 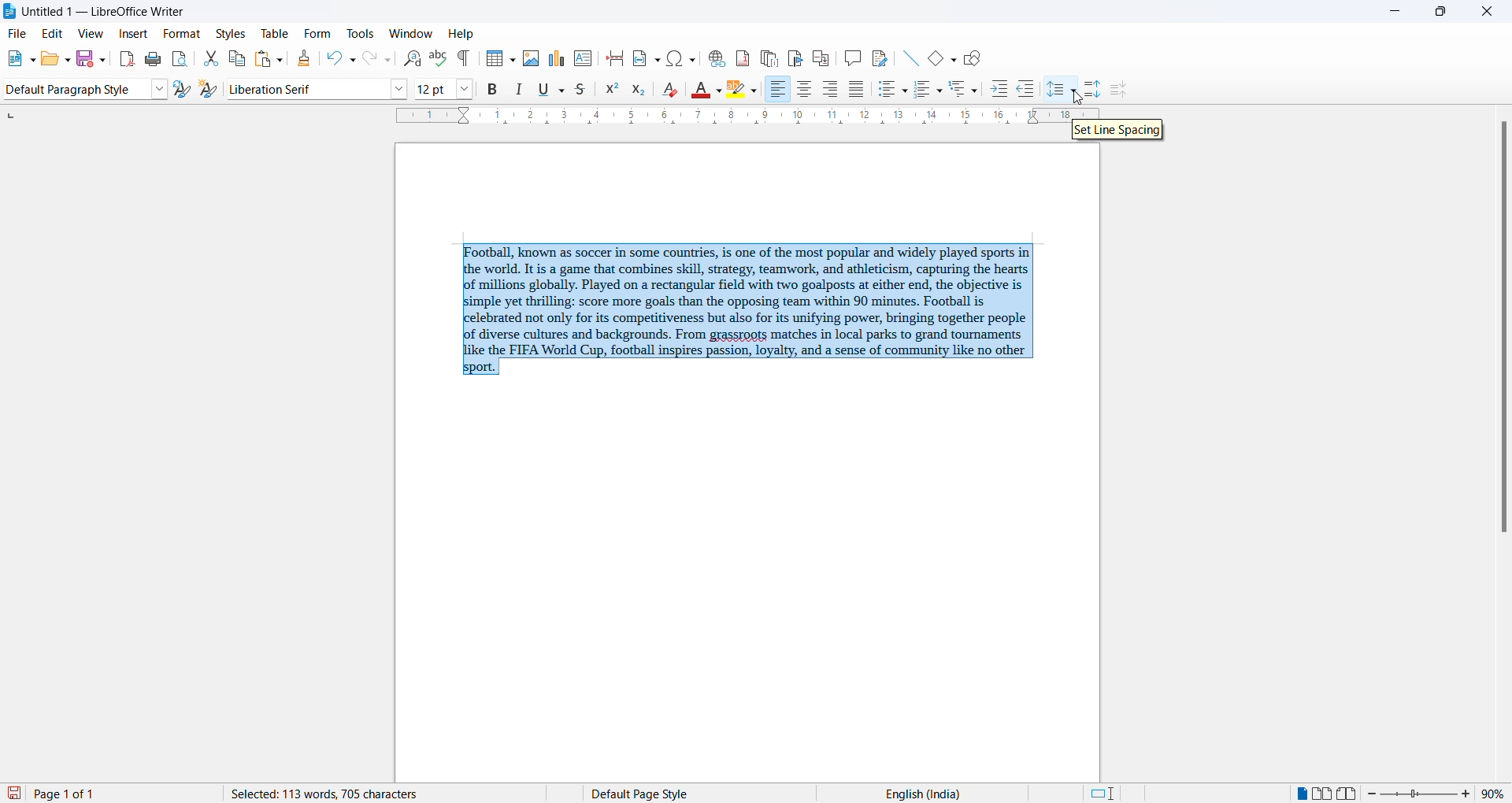 I want to click on save options, so click(x=101, y=62).